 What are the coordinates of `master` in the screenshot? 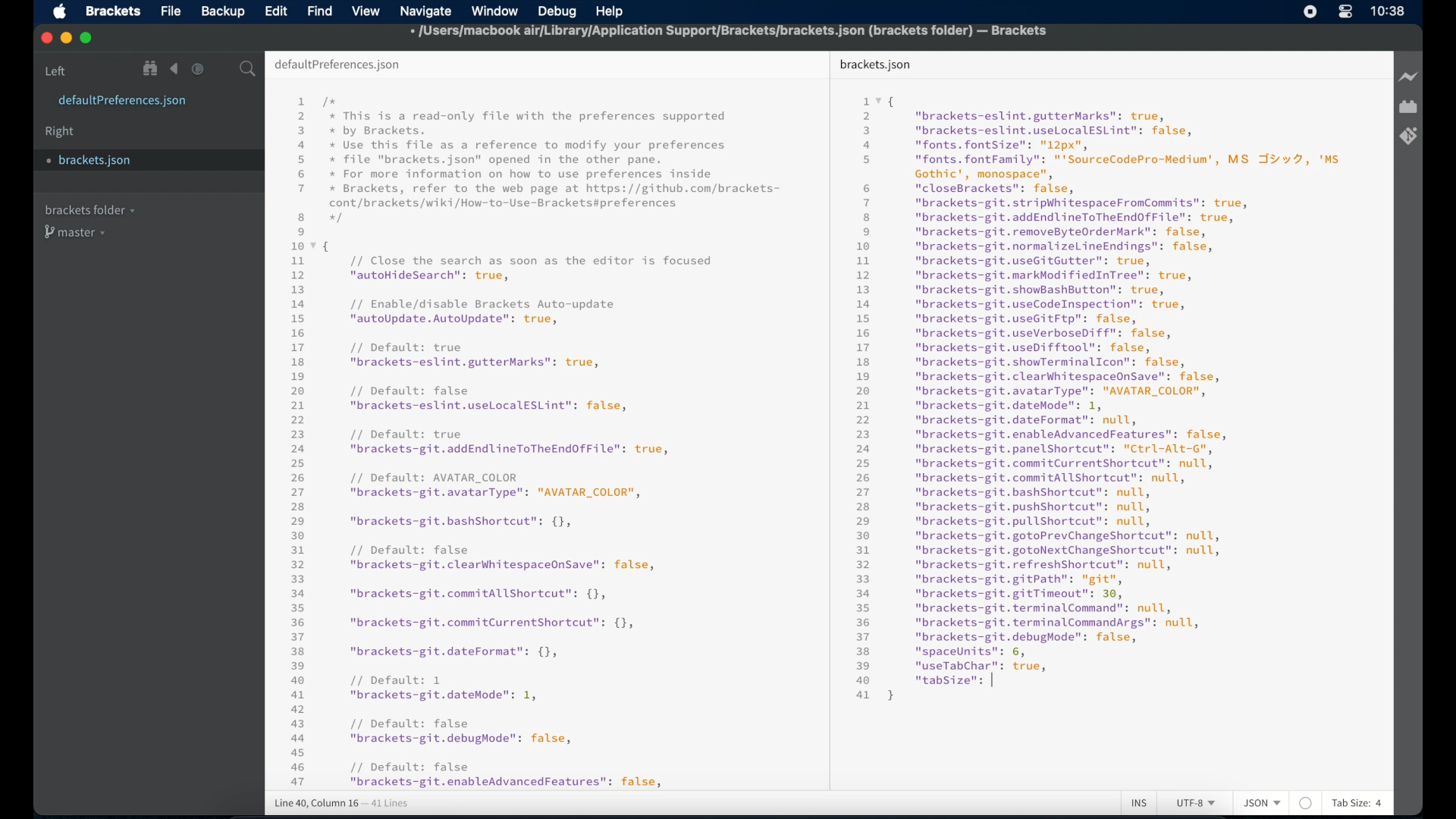 It's located at (77, 232).